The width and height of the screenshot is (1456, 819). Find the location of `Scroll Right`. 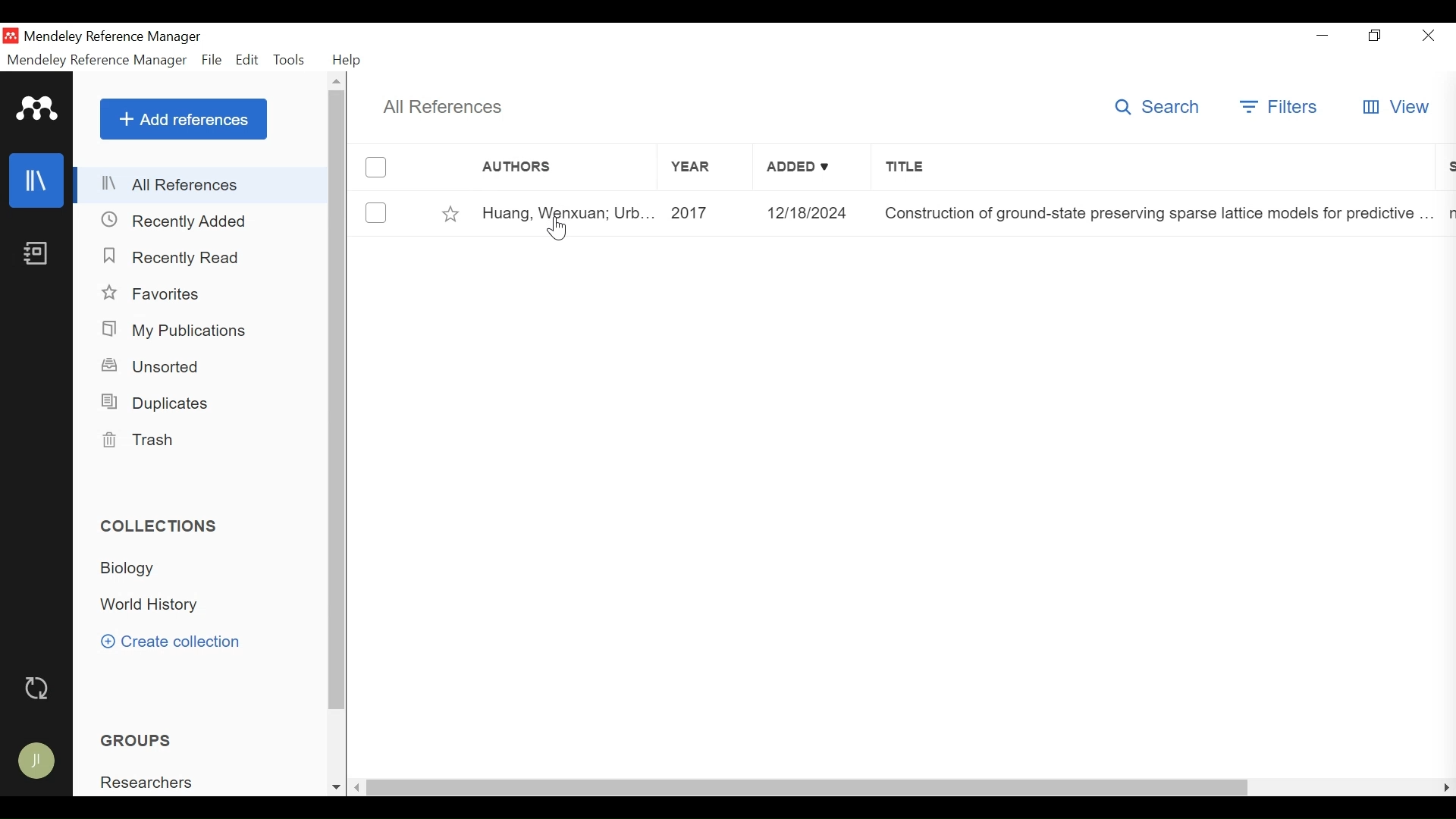

Scroll Right is located at coordinates (1446, 789).